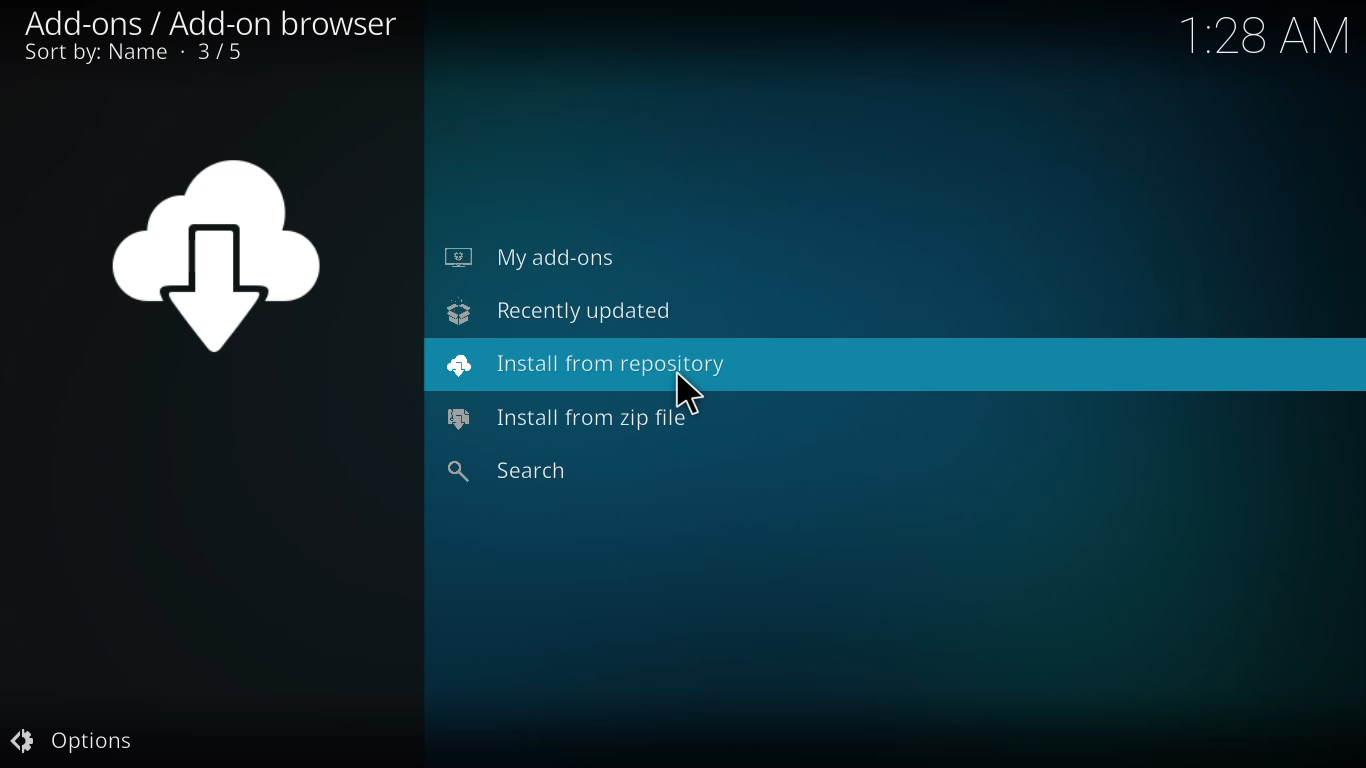 Image resolution: width=1366 pixels, height=768 pixels. Describe the element at coordinates (224, 257) in the screenshot. I see `add on` at that location.